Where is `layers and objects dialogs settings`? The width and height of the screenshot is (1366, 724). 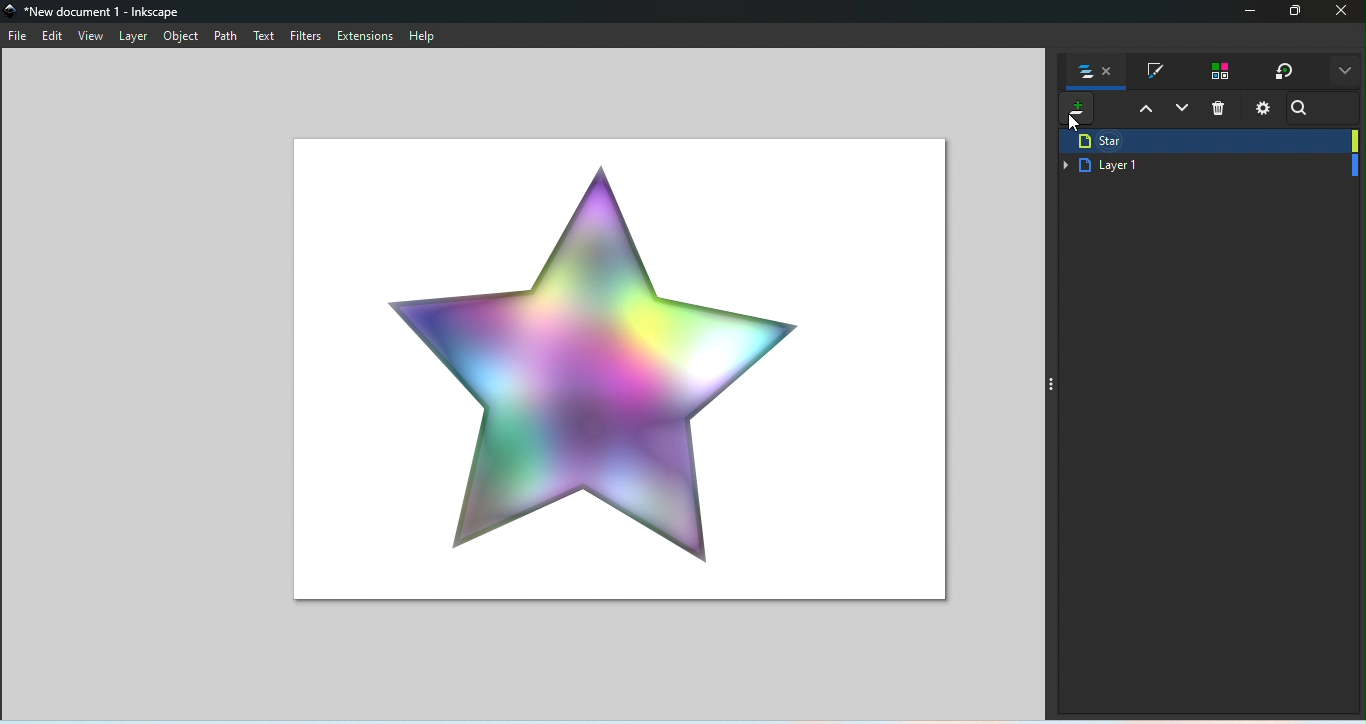 layers and objects dialogs settings is located at coordinates (1260, 107).